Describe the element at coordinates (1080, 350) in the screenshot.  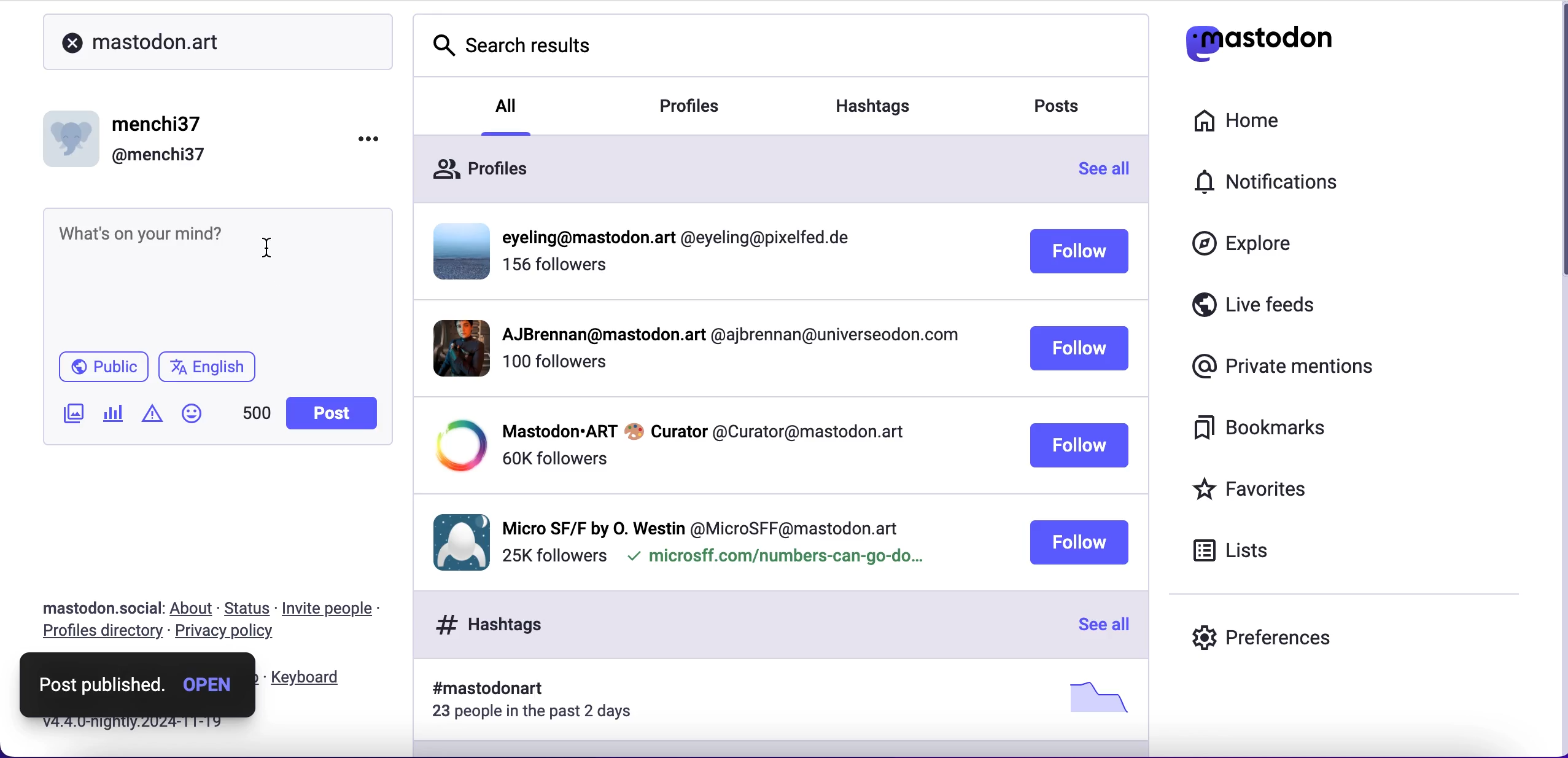
I see `follow` at that location.